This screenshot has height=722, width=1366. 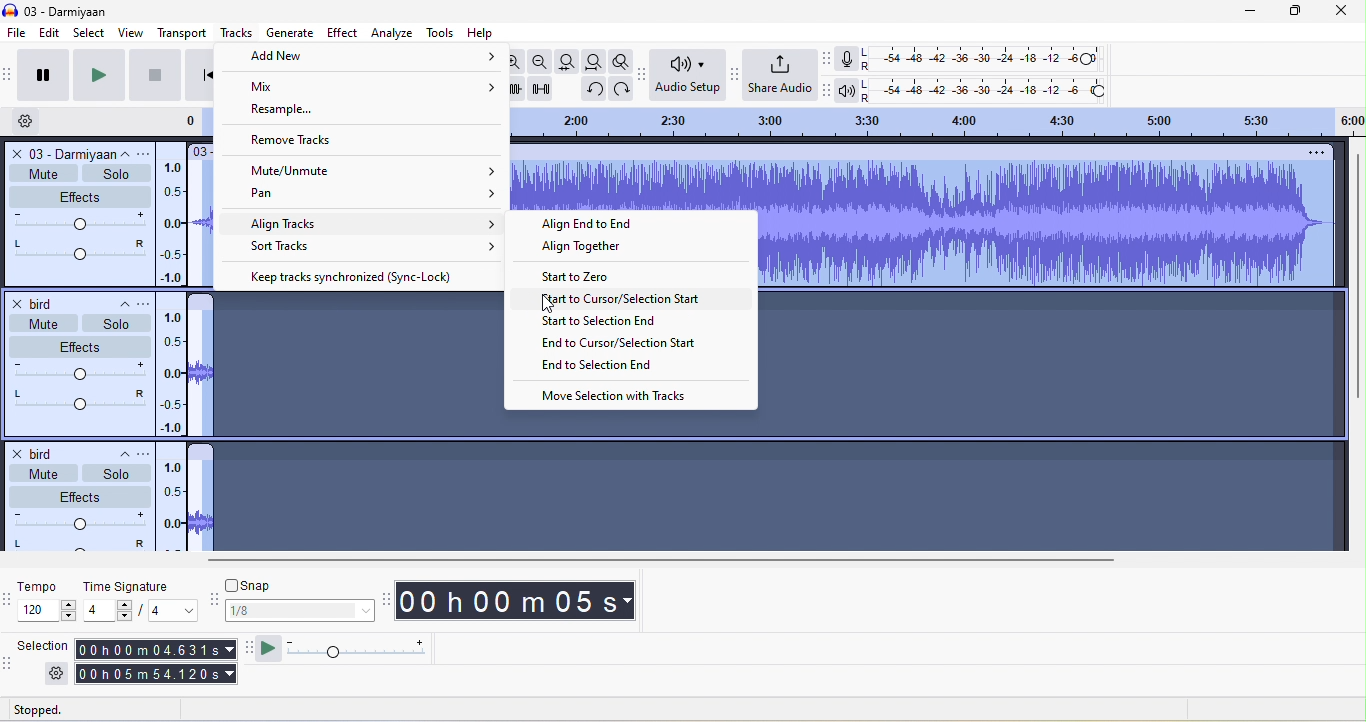 What do you see at coordinates (849, 89) in the screenshot?
I see `playback meter` at bounding box center [849, 89].